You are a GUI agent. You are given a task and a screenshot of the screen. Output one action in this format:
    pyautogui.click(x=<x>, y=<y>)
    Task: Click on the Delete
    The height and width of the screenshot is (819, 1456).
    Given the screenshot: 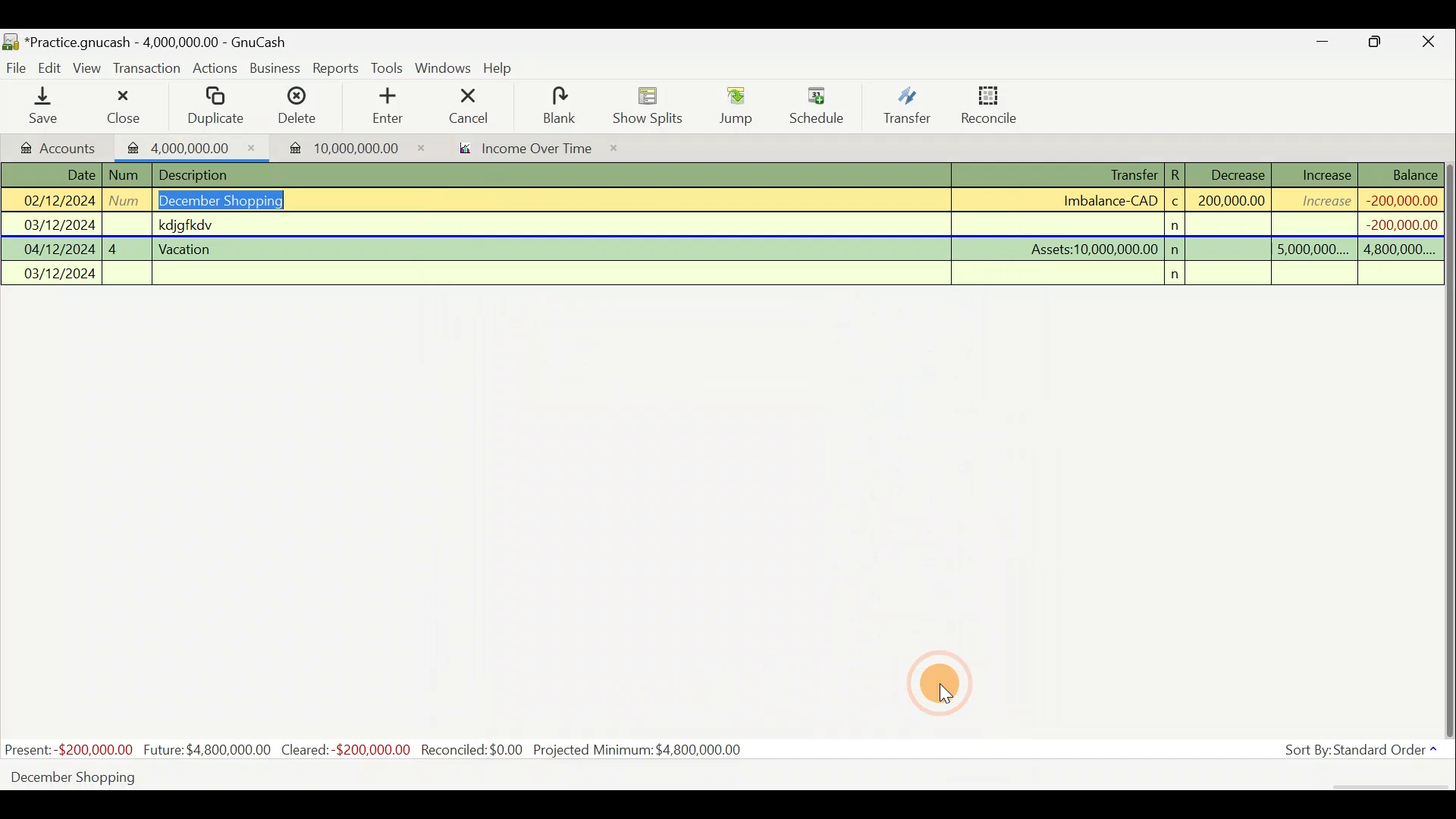 What is the action you would take?
    pyautogui.click(x=295, y=111)
    